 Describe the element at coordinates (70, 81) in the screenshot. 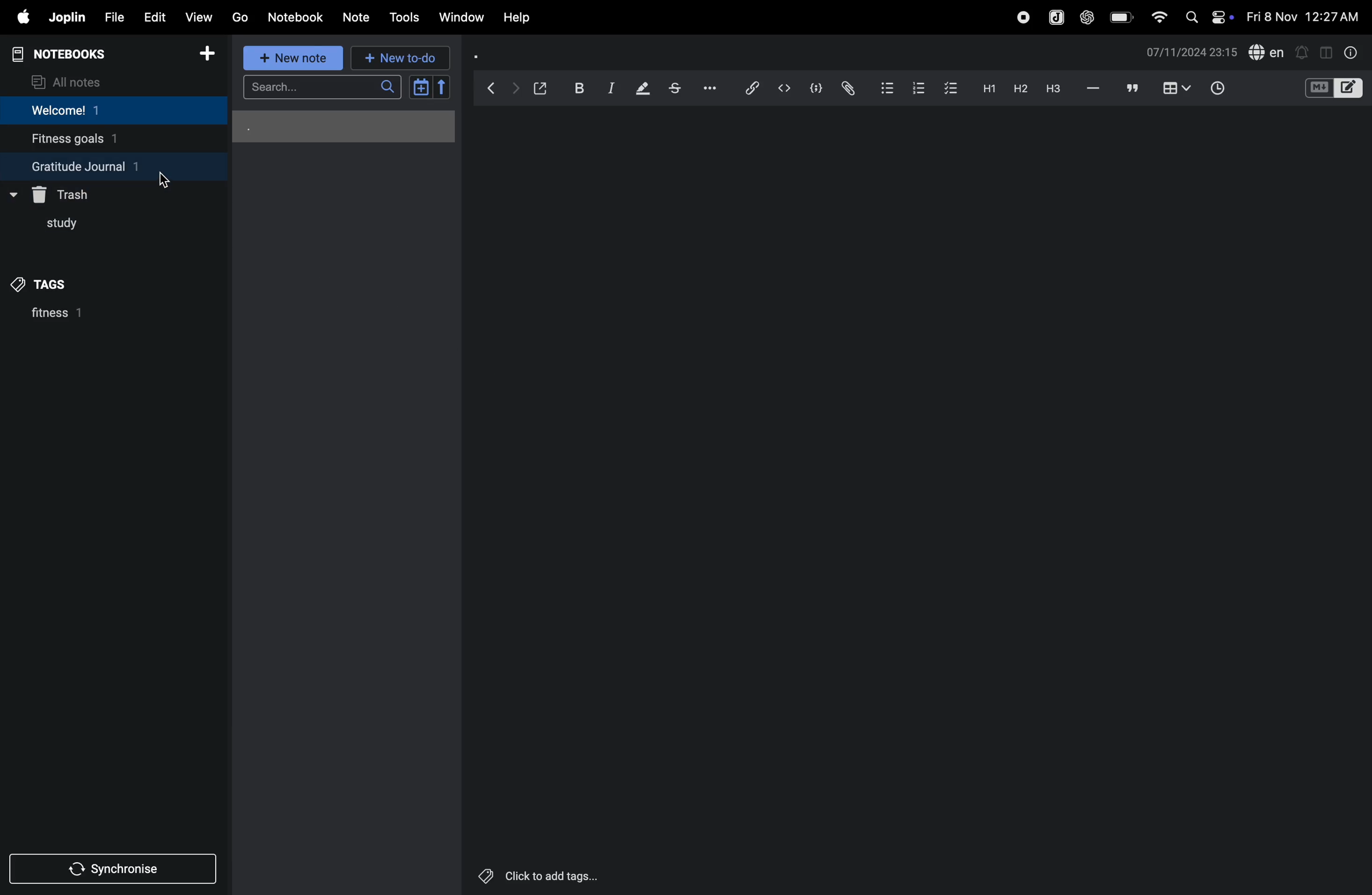

I see `all notes` at that location.